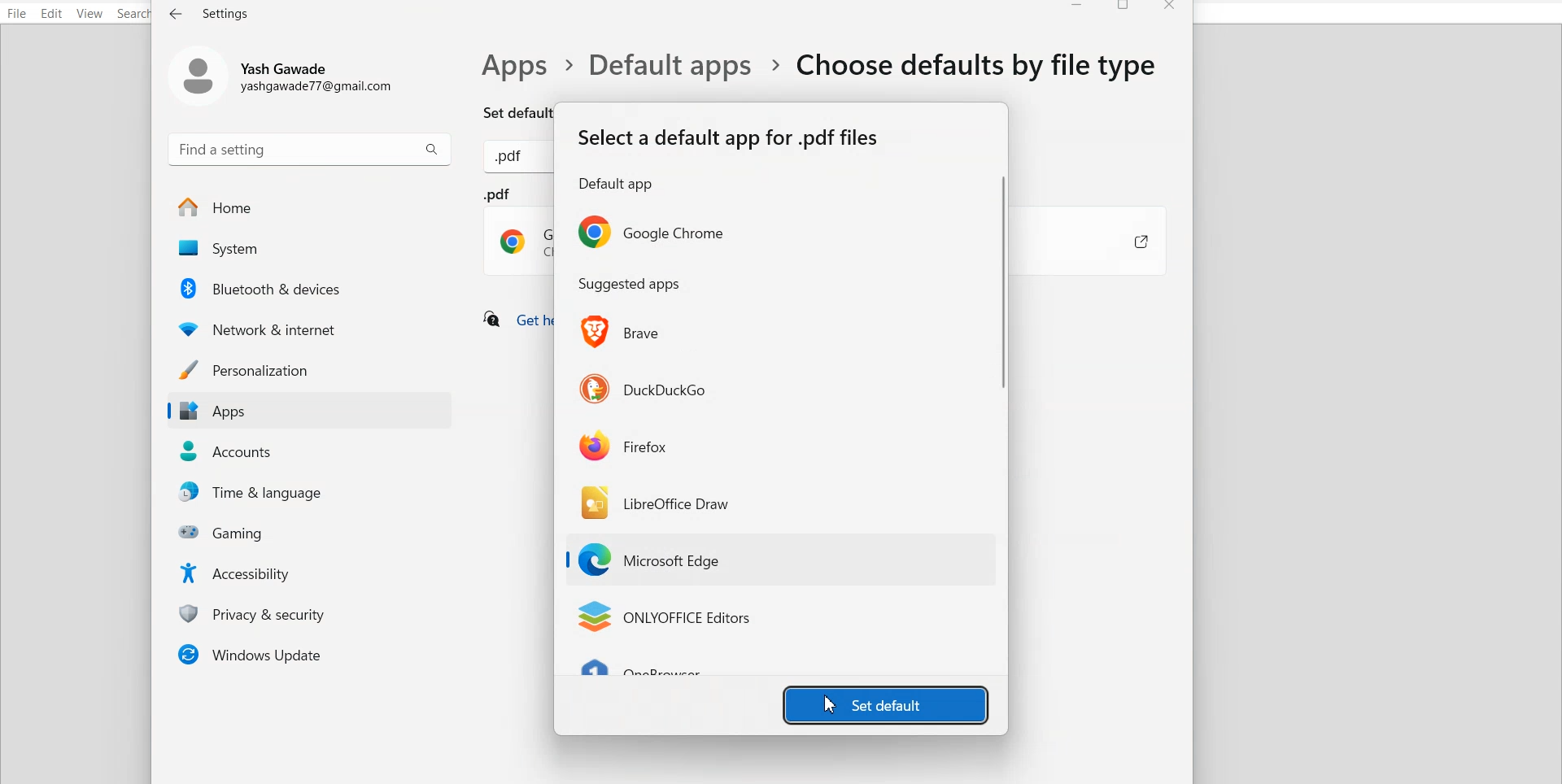  What do you see at coordinates (52, 13) in the screenshot?
I see `Edit` at bounding box center [52, 13].